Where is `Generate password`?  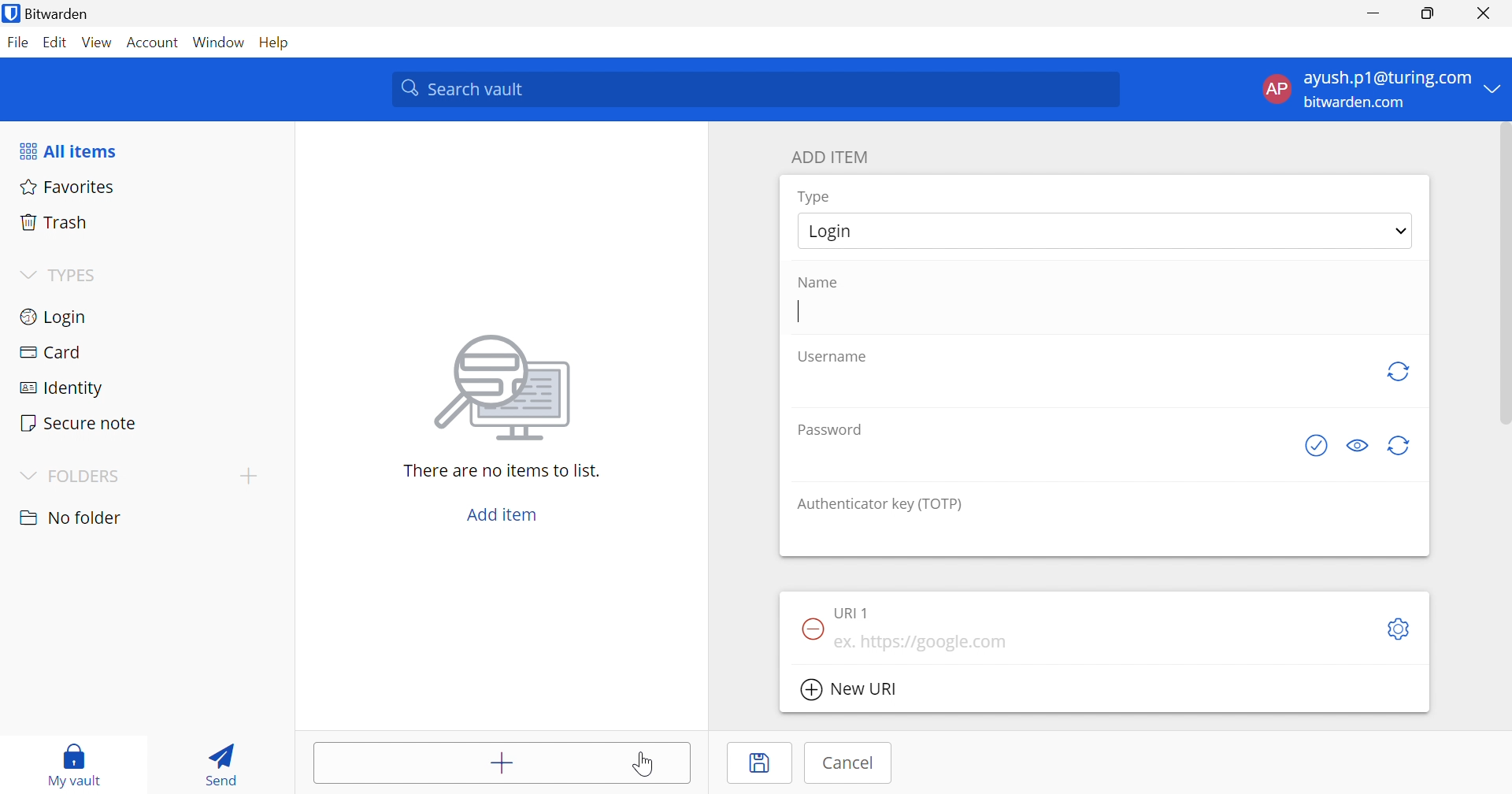 Generate password is located at coordinates (1399, 371).